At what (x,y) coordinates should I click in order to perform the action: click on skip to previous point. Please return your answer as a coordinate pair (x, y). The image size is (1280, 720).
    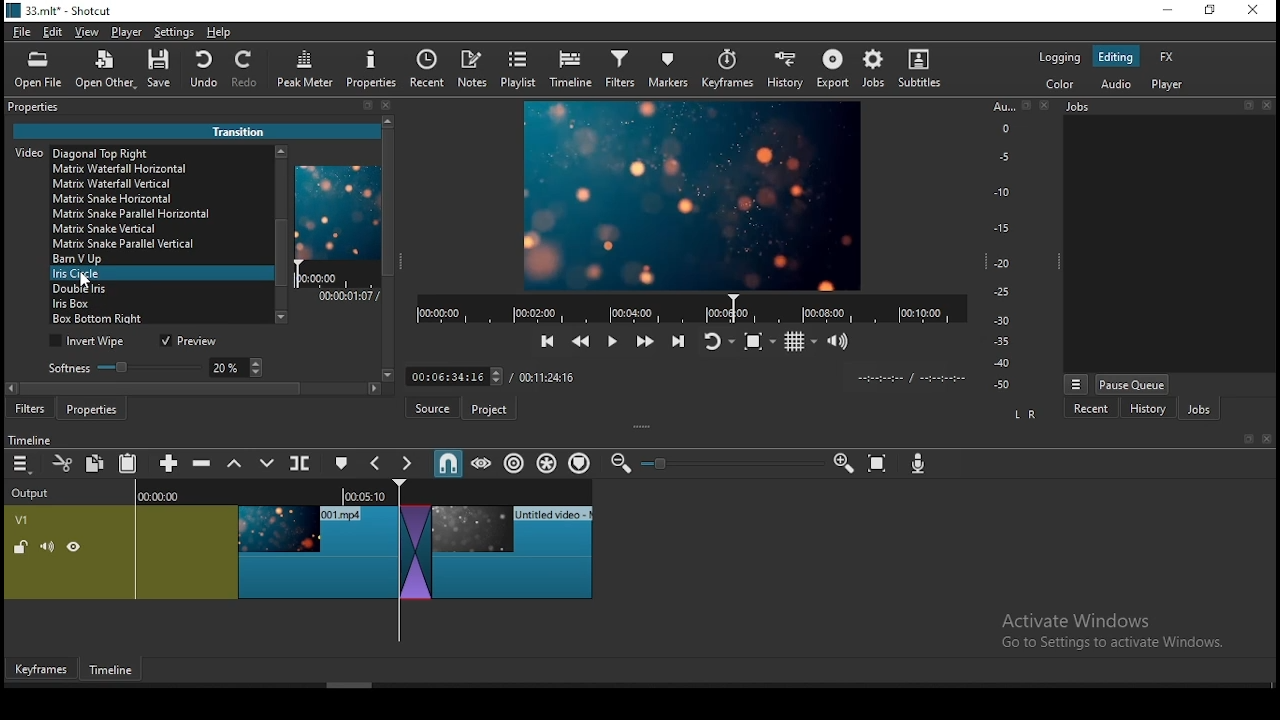
    Looking at the image, I should click on (545, 342).